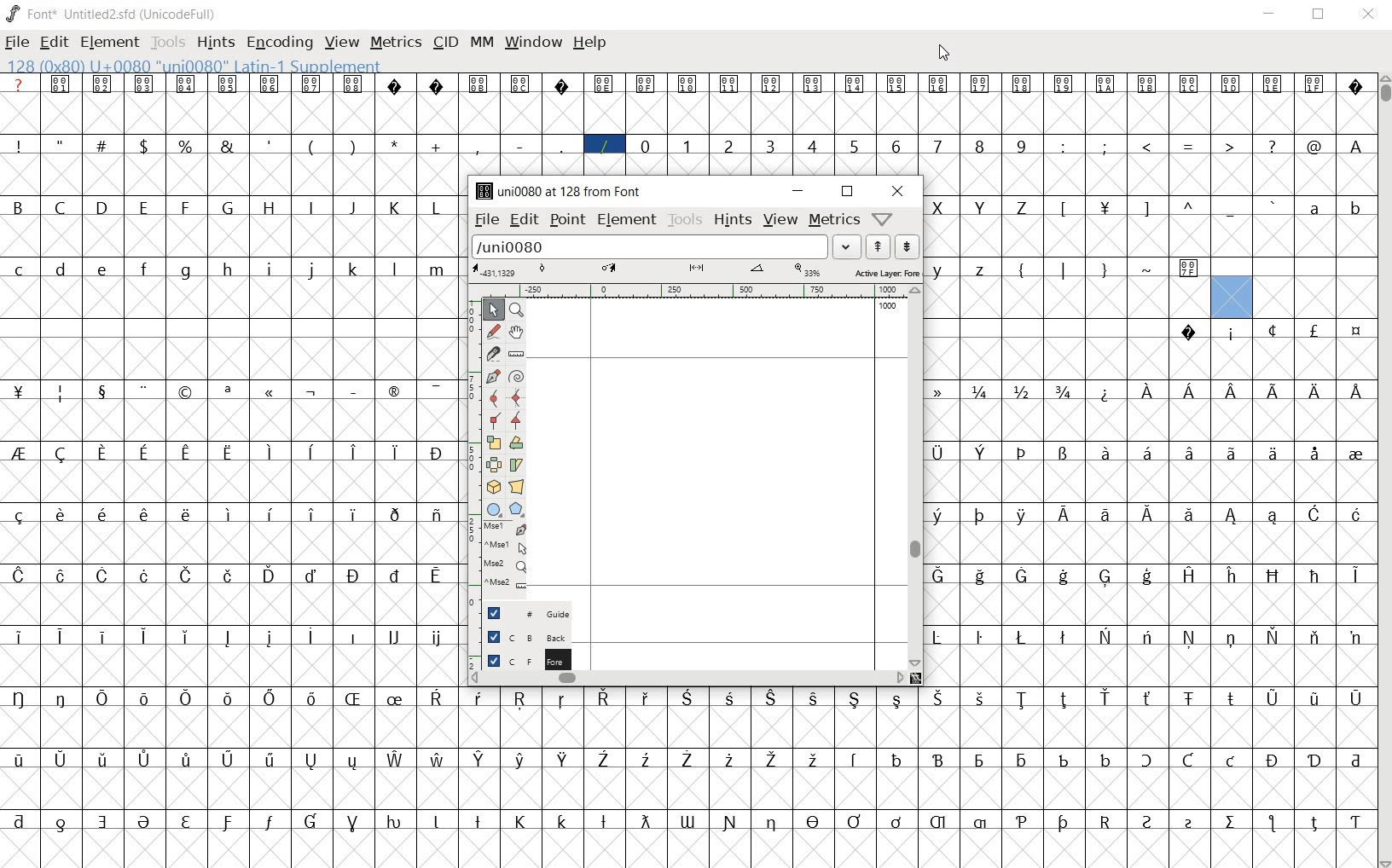 The image size is (1392, 868). What do you see at coordinates (604, 146) in the screenshot?
I see `glyph` at bounding box center [604, 146].